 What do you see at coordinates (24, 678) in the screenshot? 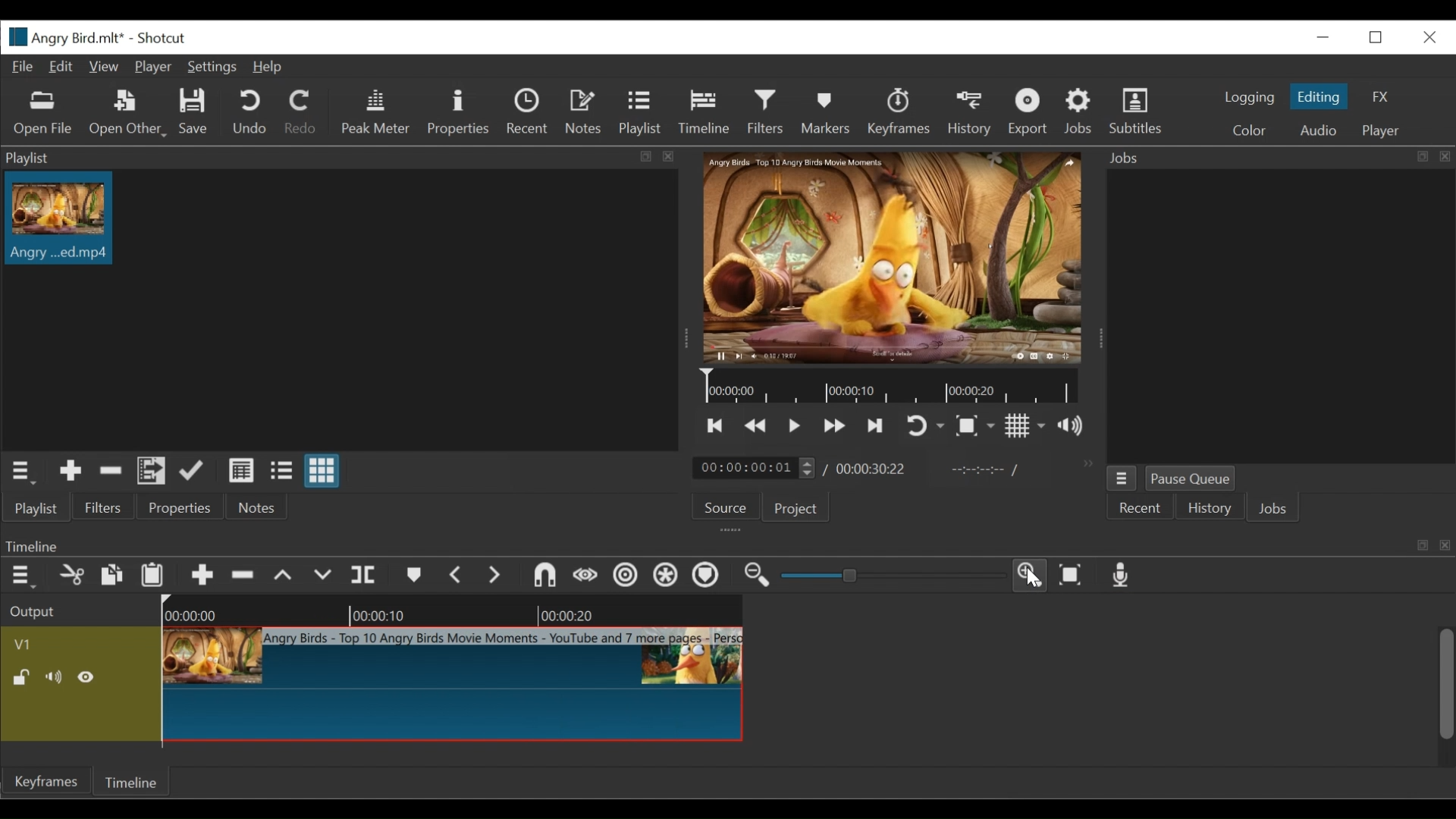
I see `(un)lock track` at bounding box center [24, 678].